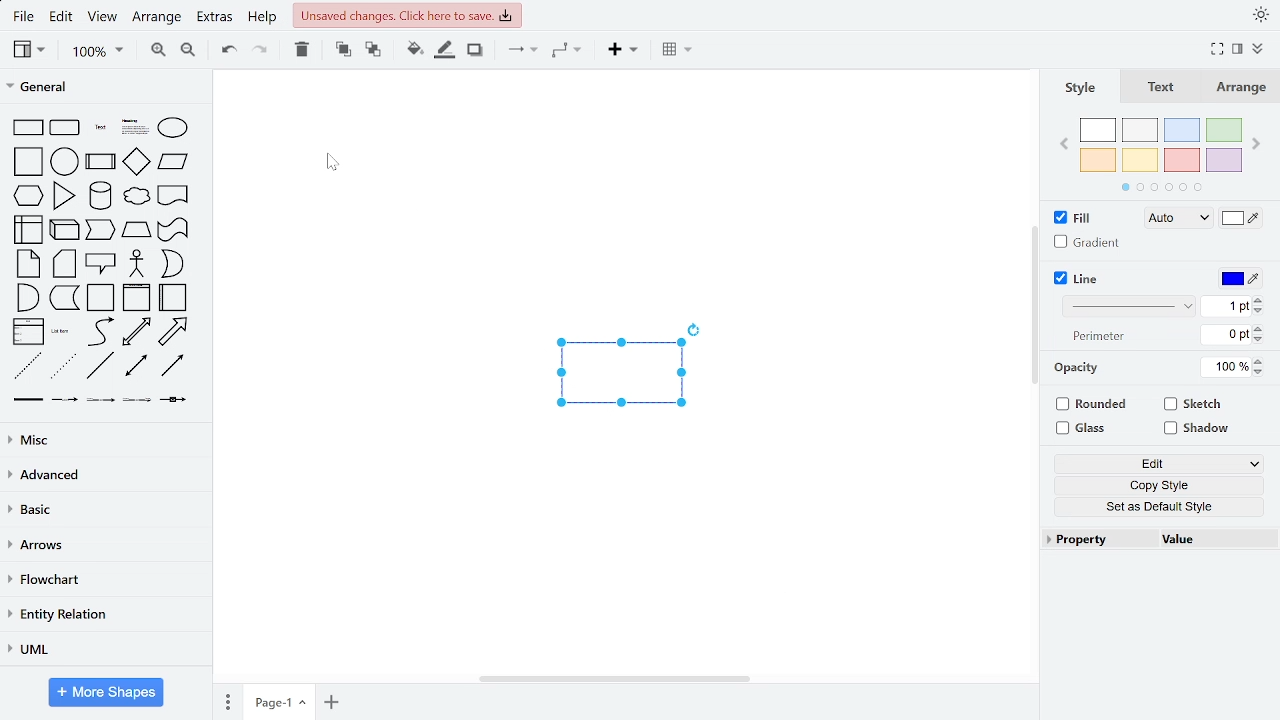 The height and width of the screenshot is (720, 1280). Describe the element at coordinates (230, 53) in the screenshot. I see `undo` at that location.